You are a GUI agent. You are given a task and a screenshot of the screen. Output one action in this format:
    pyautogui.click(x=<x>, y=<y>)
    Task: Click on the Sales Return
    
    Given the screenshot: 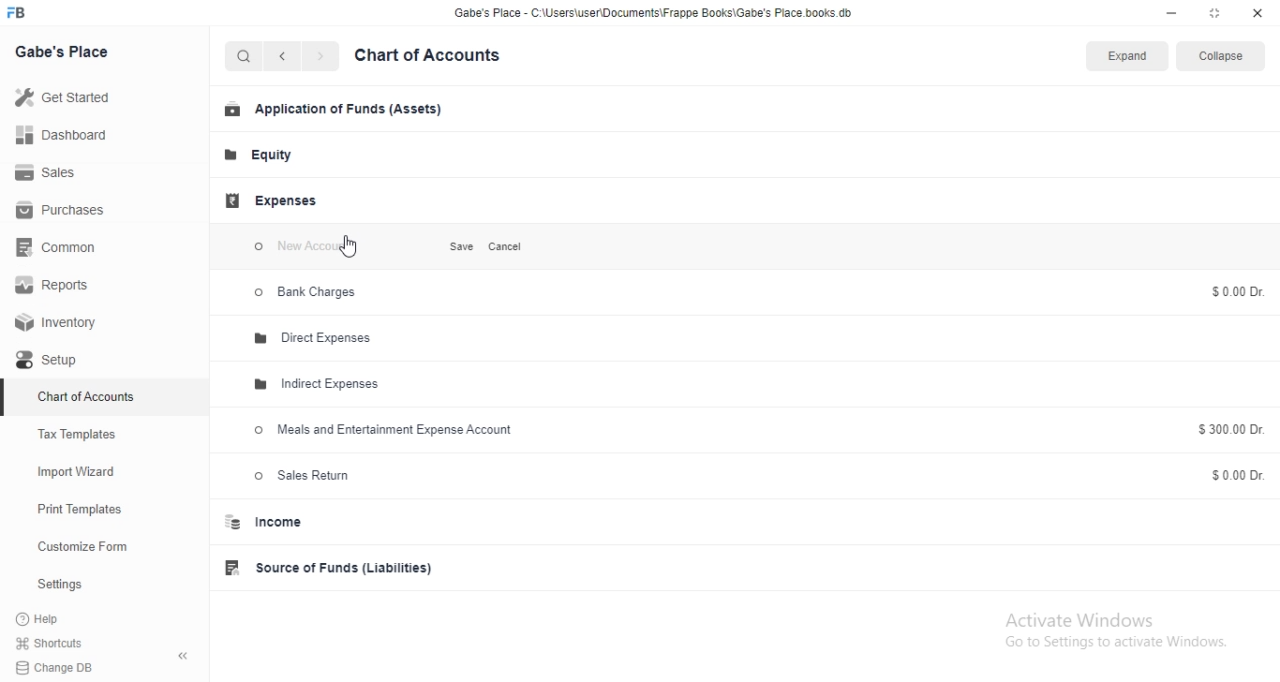 What is the action you would take?
    pyautogui.click(x=304, y=475)
    